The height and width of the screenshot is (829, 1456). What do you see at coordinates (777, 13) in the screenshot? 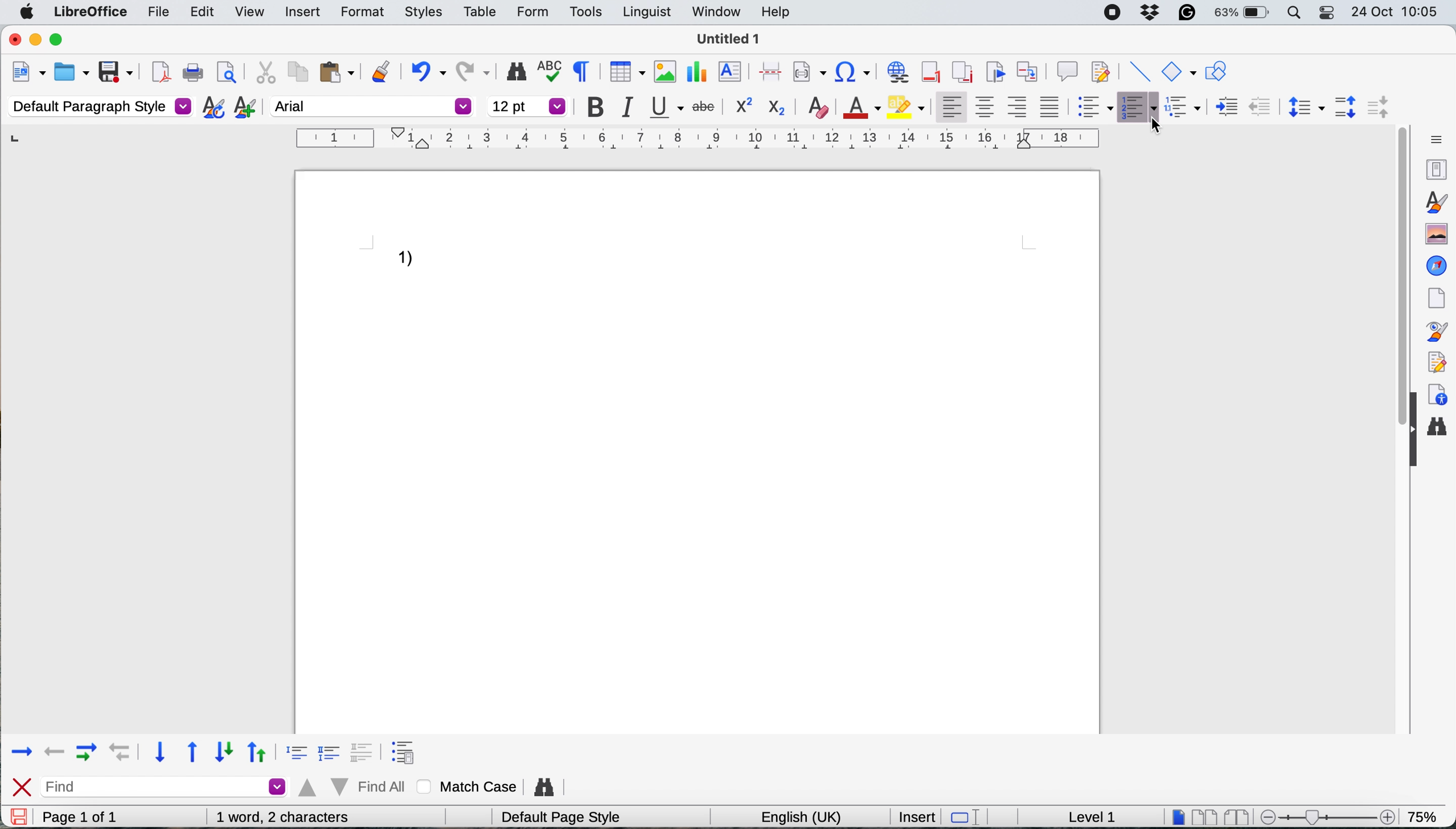
I see `help` at bounding box center [777, 13].